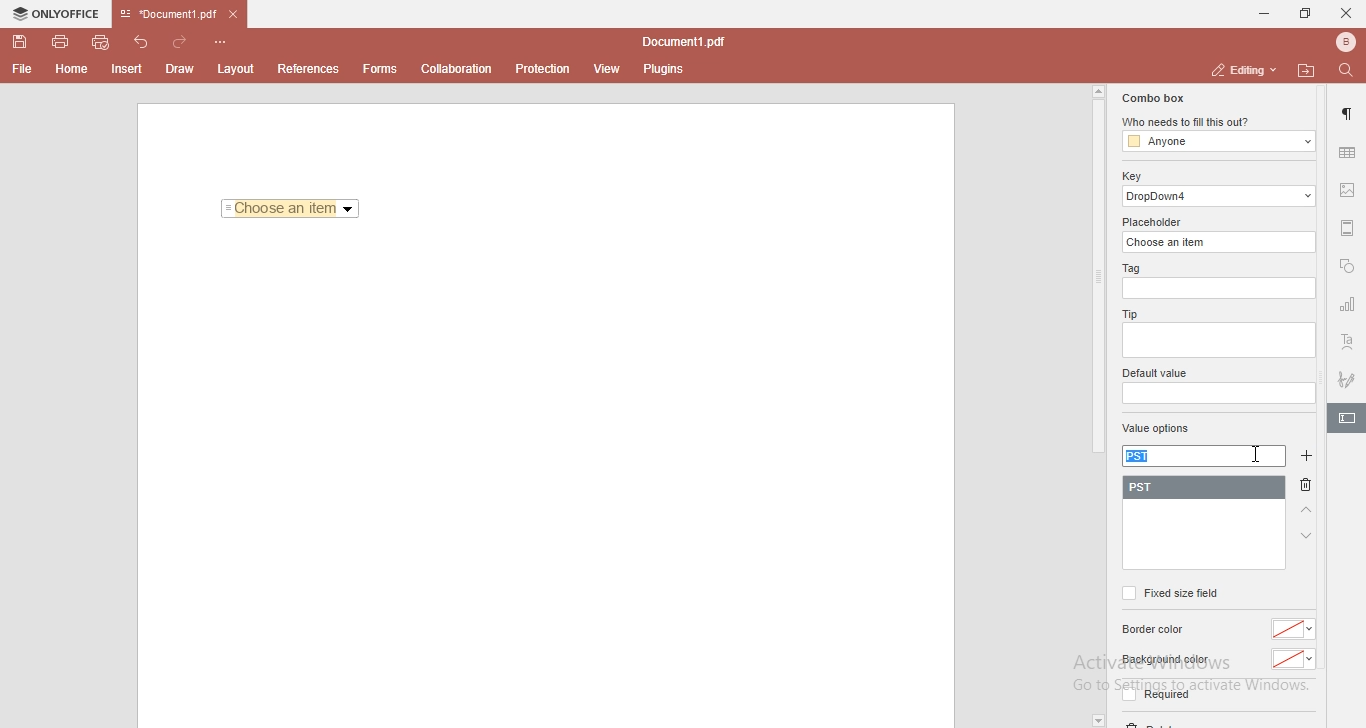  I want to click on editing, so click(1241, 69).